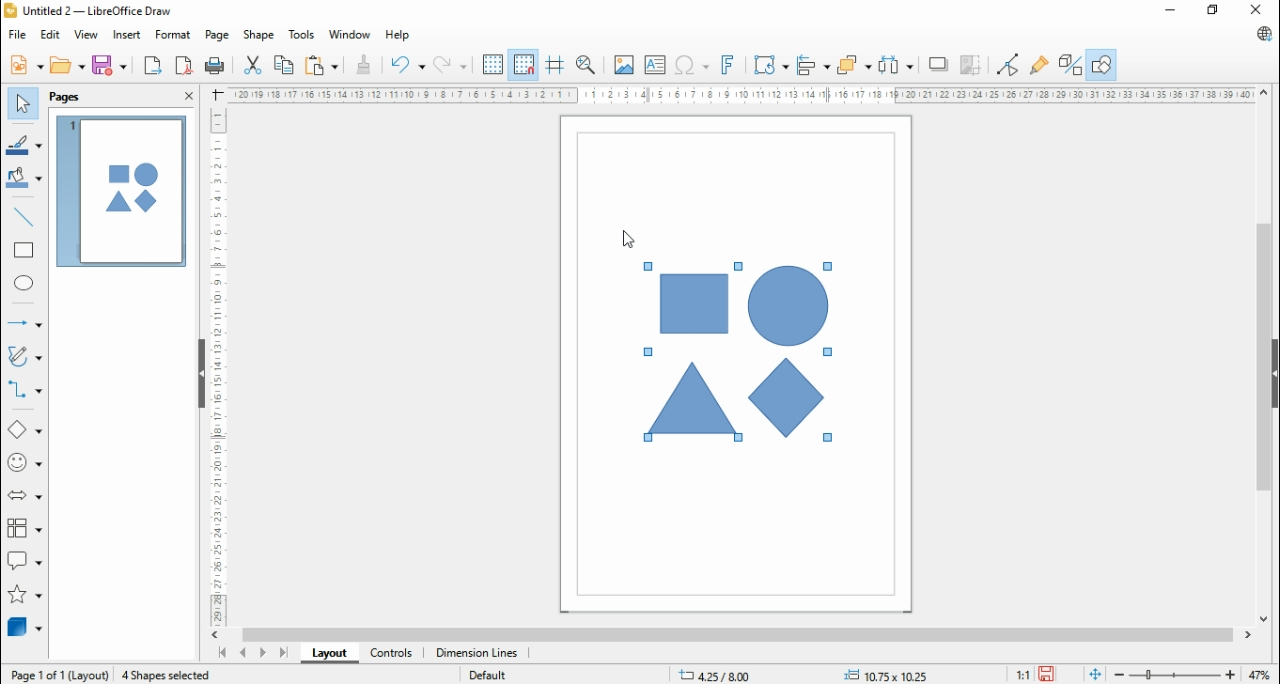 This screenshot has height=684, width=1280. I want to click on rectangle, so click(23, 250).